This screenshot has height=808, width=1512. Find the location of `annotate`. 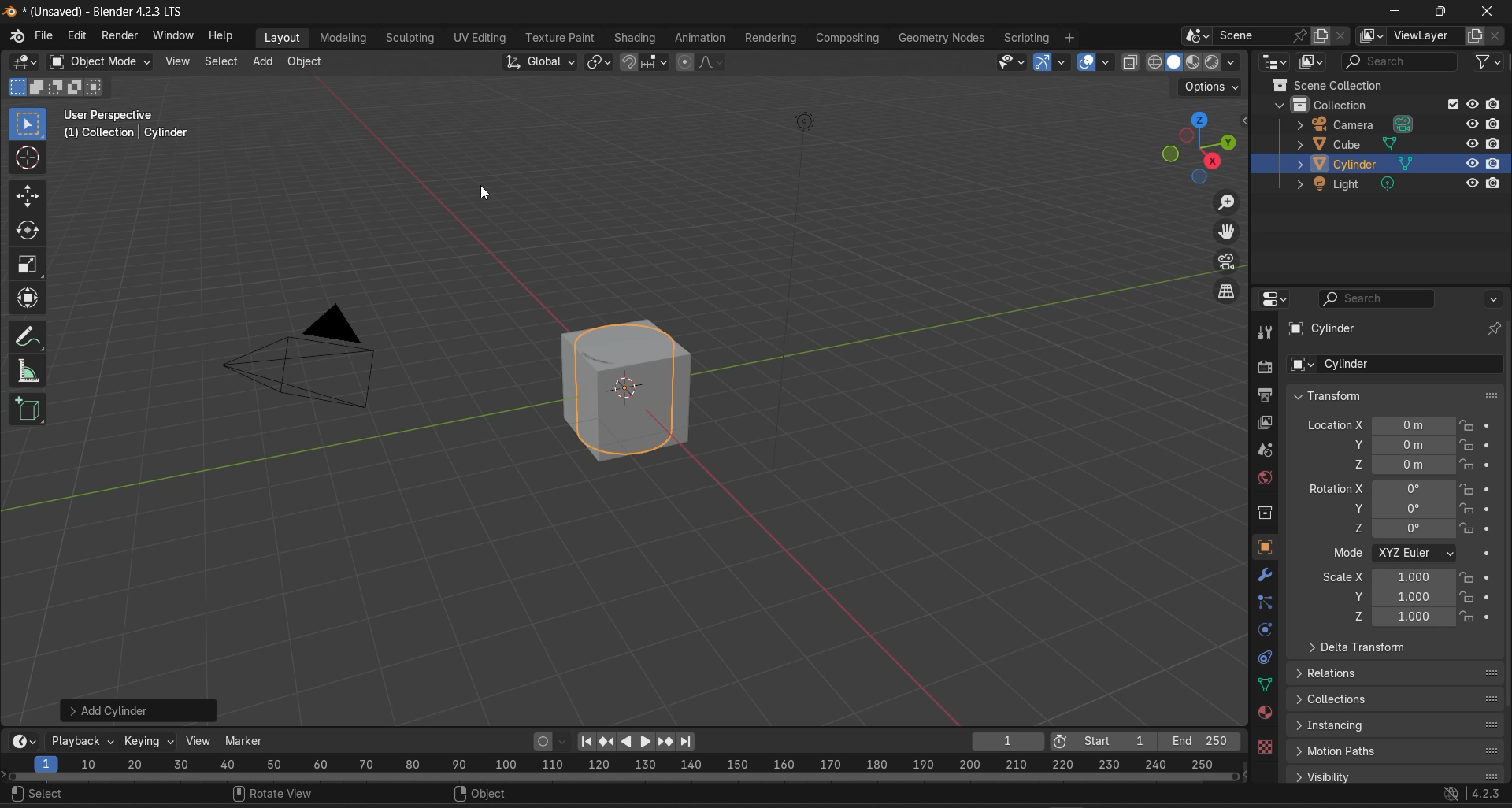

annotate is located at coordinates (32, 337).